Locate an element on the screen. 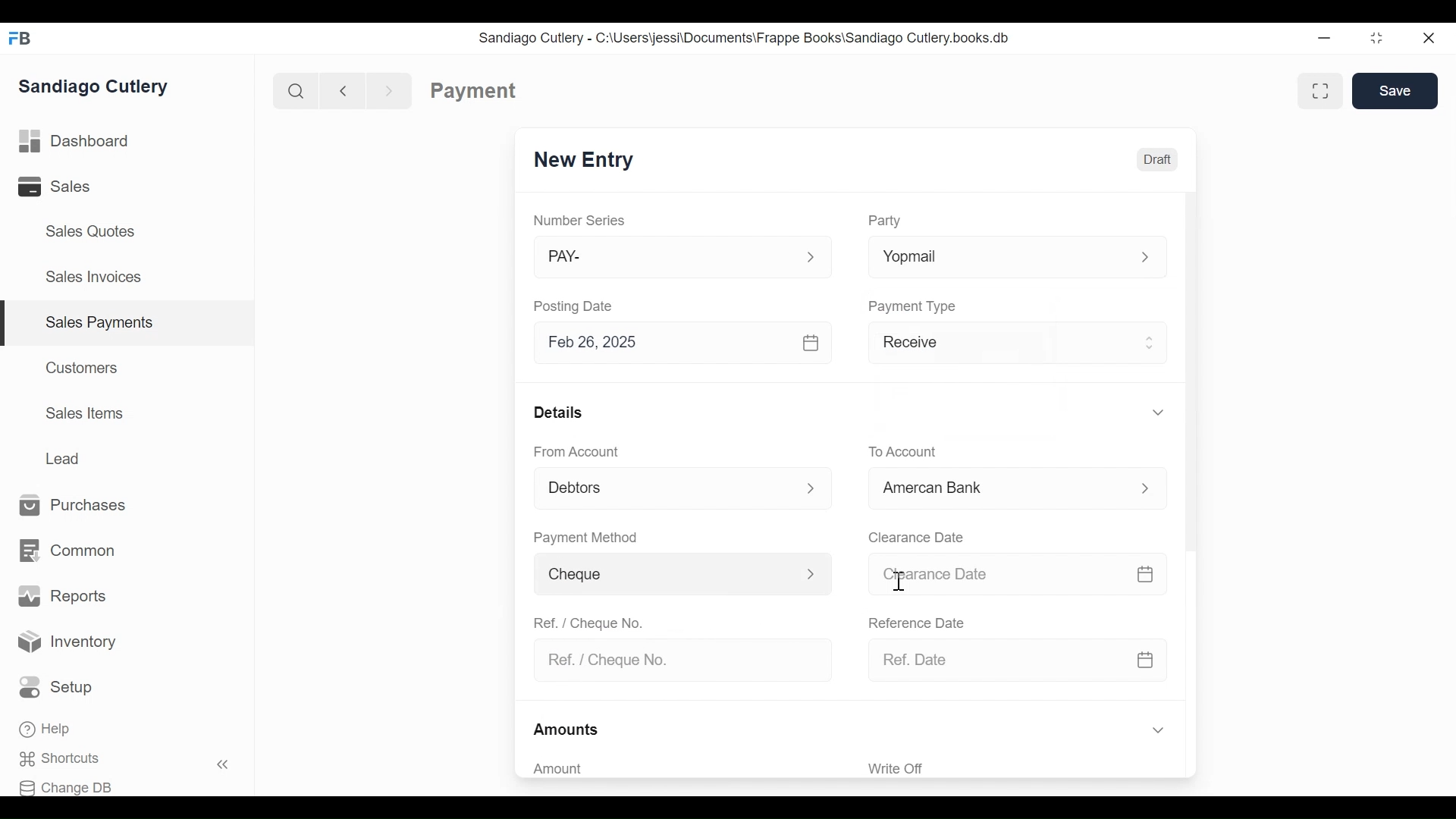  Calendar is located at coordinates (1145, 659).